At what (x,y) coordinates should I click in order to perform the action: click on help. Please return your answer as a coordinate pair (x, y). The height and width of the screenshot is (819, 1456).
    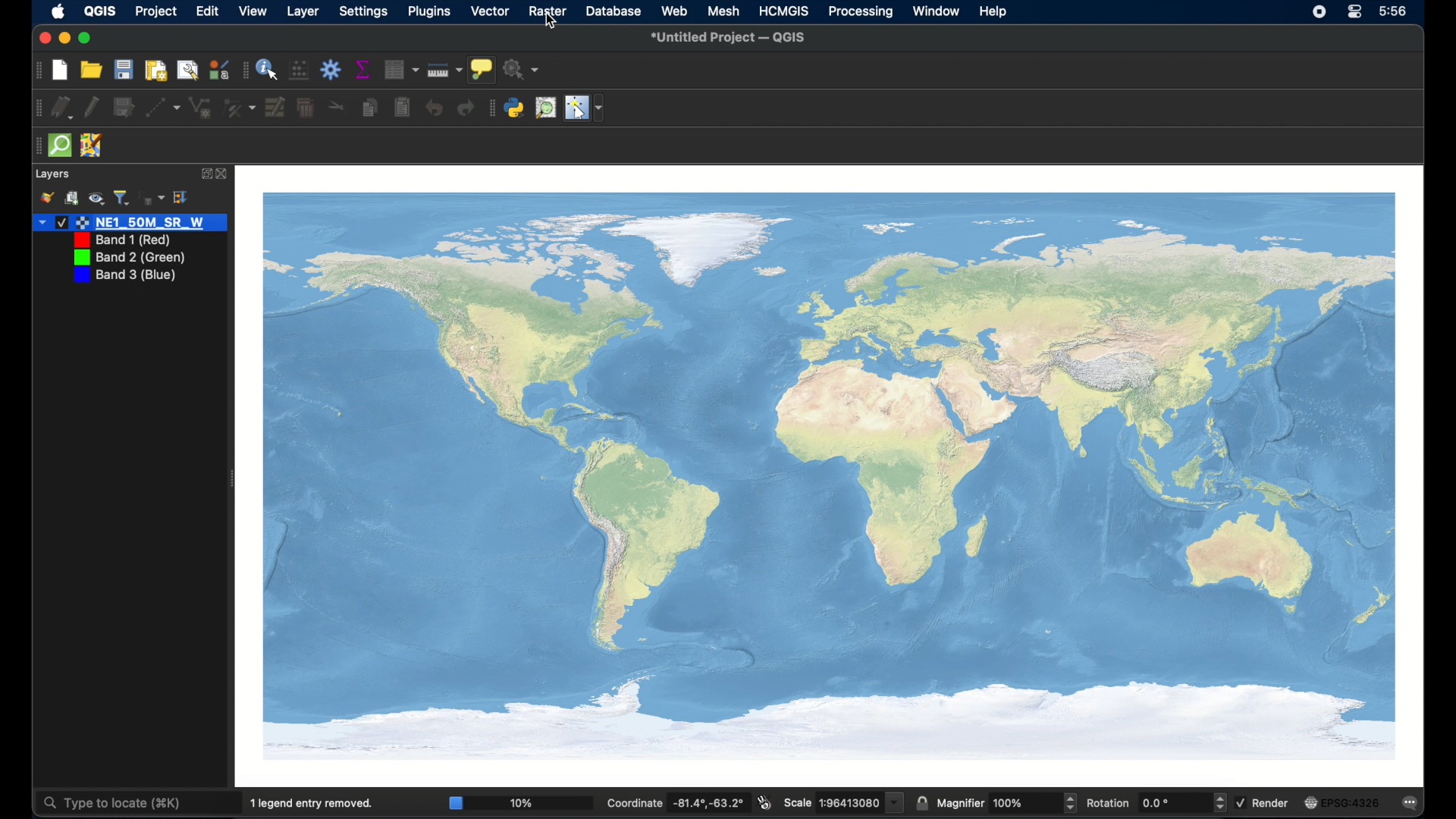
    Looking at the image, I should click on (994, 12).